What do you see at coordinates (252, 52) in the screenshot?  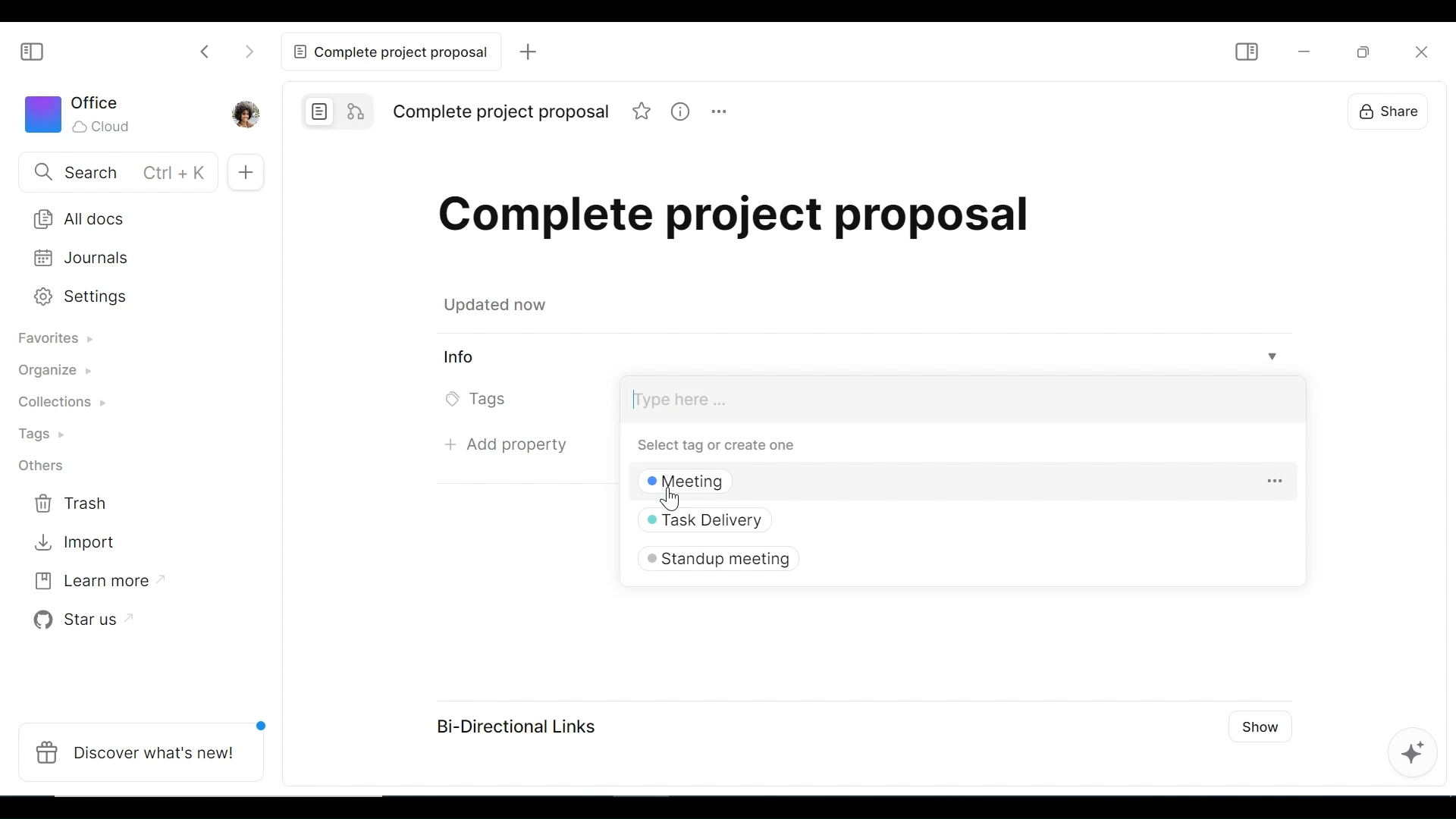 I see `Click to go forward` at bounding box center [252, 52].